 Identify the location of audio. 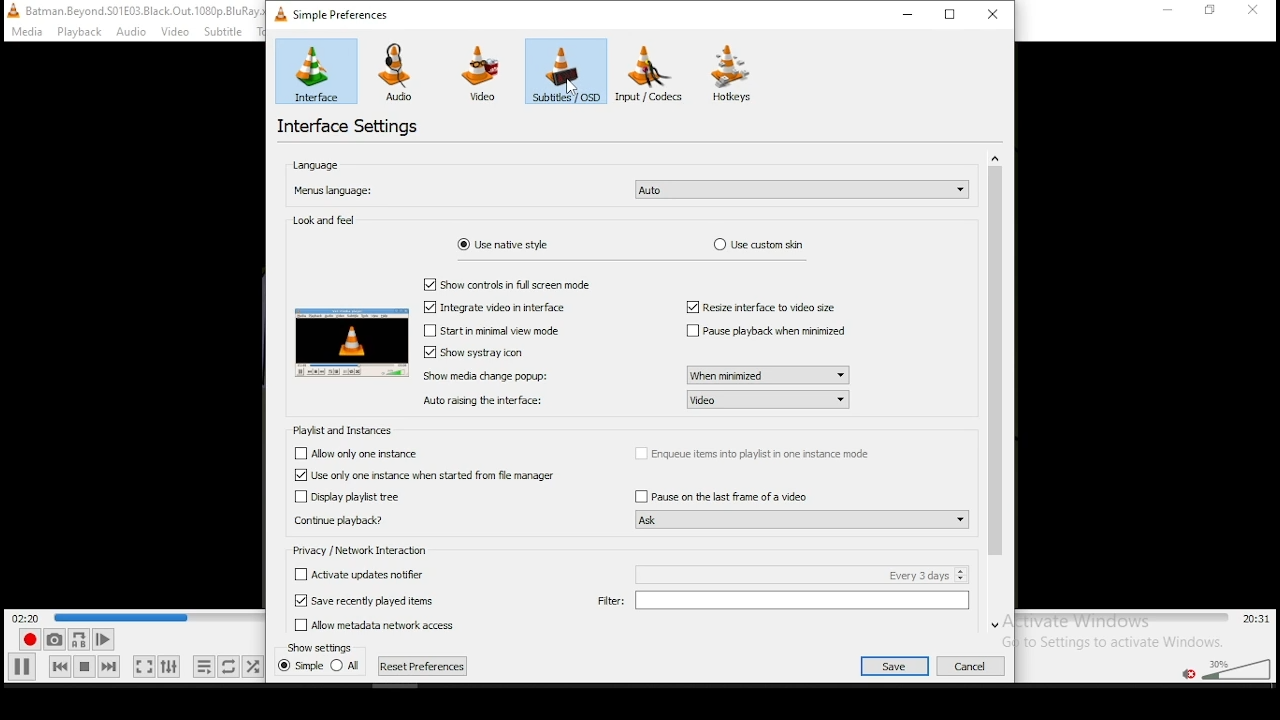
(402, 74).